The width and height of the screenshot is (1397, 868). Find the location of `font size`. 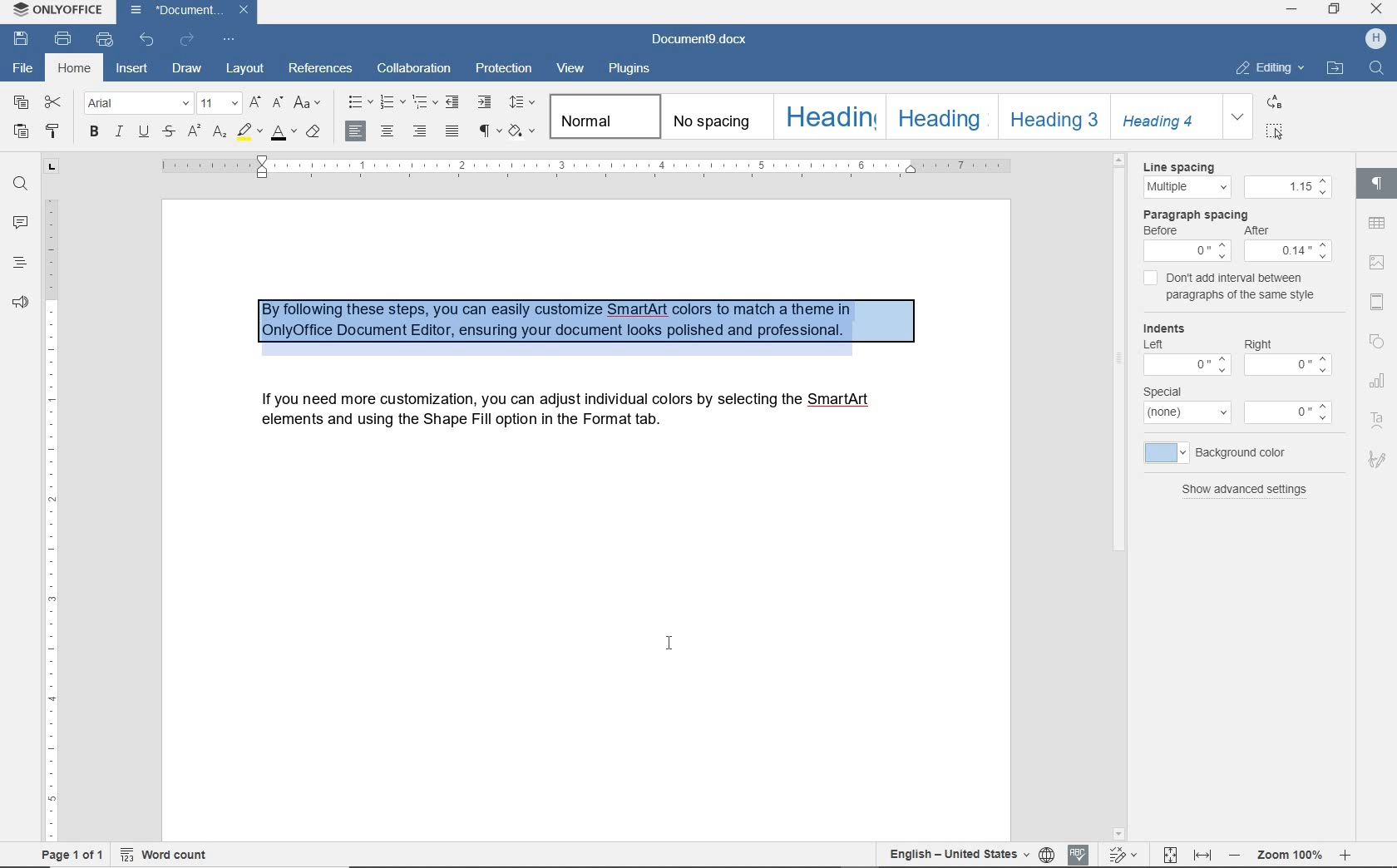

font size is located at coordinates (220, 101).